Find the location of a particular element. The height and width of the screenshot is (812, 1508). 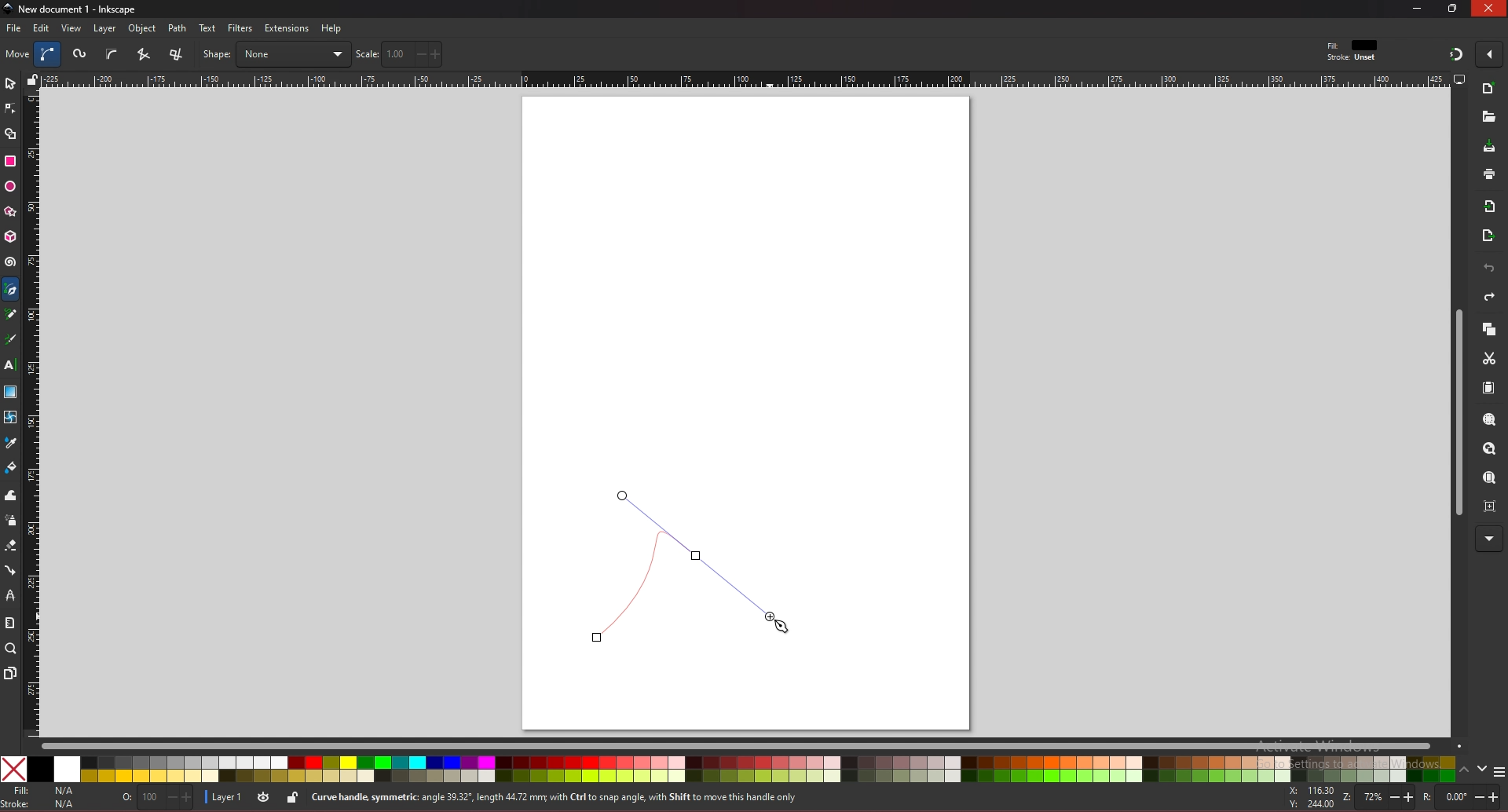

import is located at coordinates (1493, 207).